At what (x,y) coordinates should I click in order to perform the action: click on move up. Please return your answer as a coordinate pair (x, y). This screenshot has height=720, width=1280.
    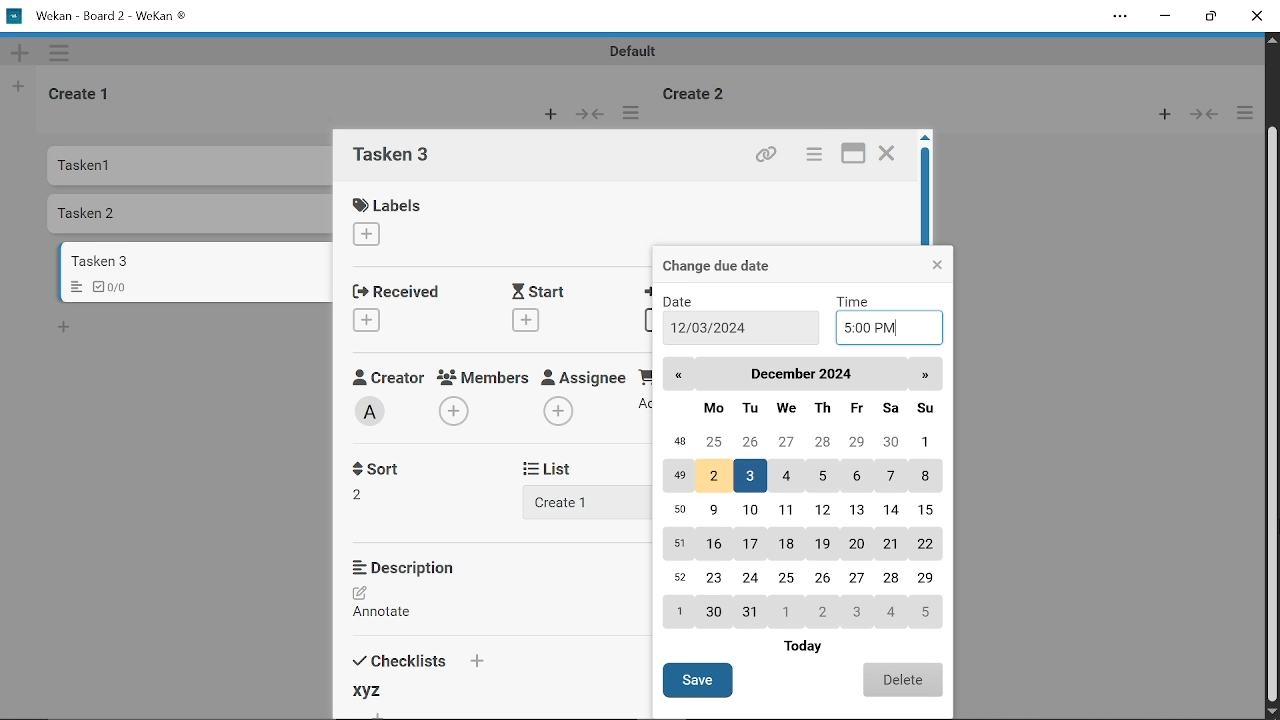
    Looking at the image, I should click on (931, 140).